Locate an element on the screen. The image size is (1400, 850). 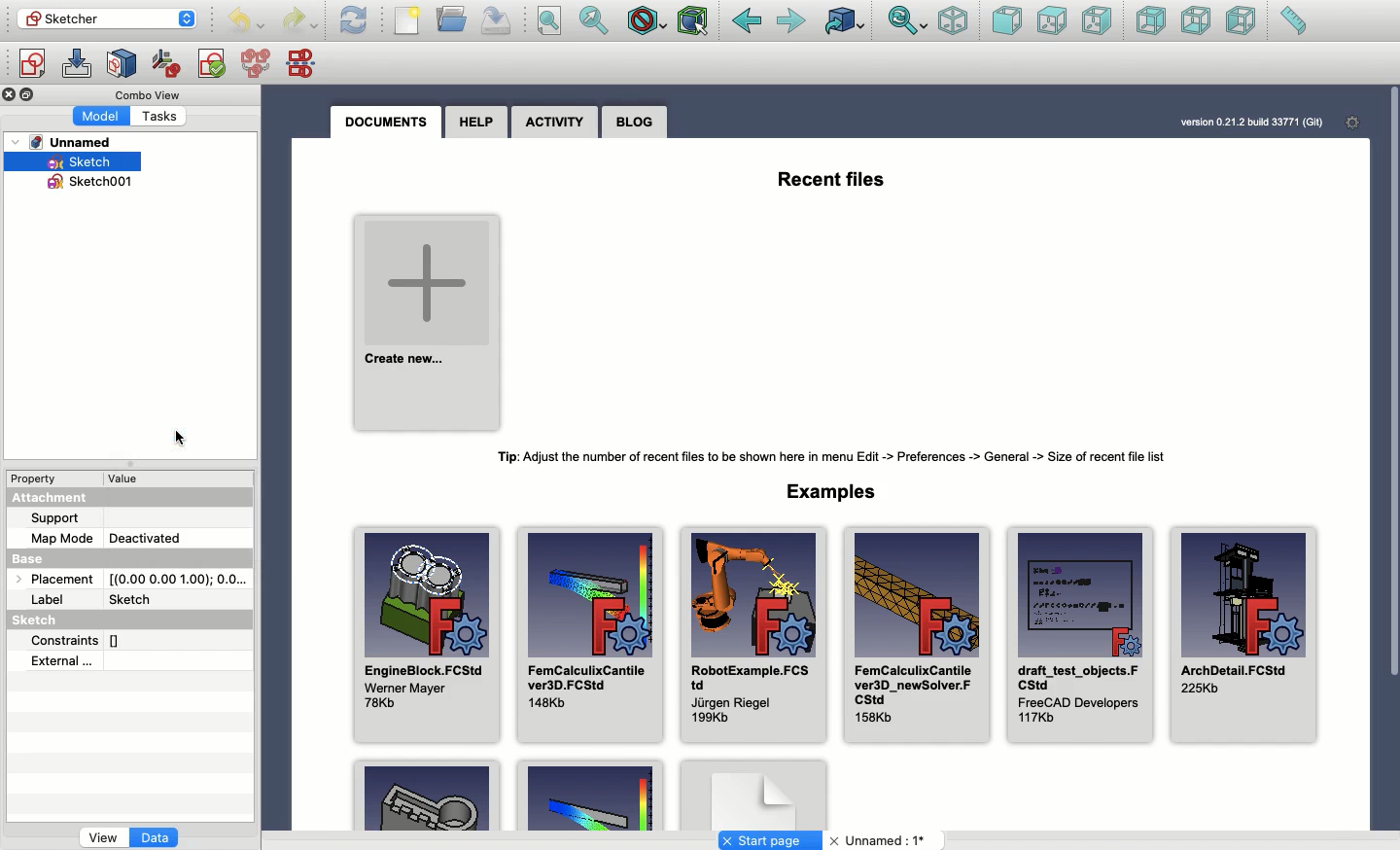
Attachment is located at coordinates (54, 499).